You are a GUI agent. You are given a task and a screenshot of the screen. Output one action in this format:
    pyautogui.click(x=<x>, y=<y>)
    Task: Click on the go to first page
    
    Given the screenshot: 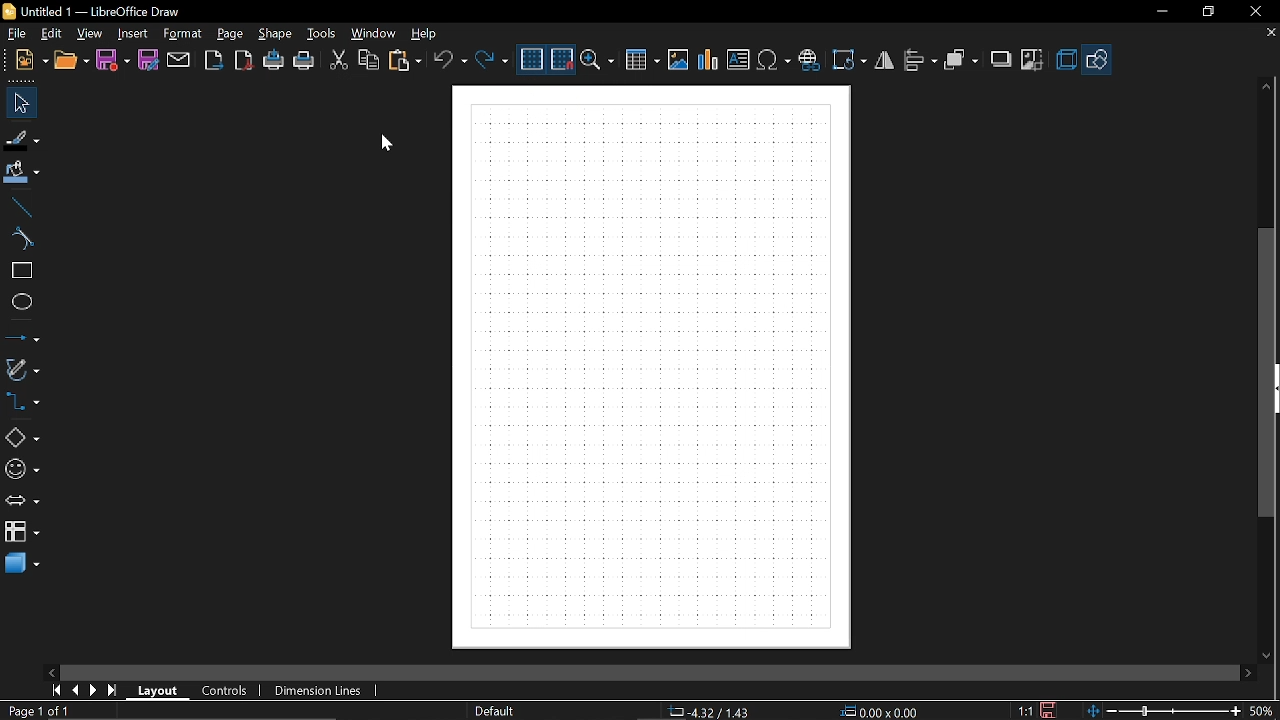 What is the action you would take?
    pyautogui.click(x=55, y=690)
    